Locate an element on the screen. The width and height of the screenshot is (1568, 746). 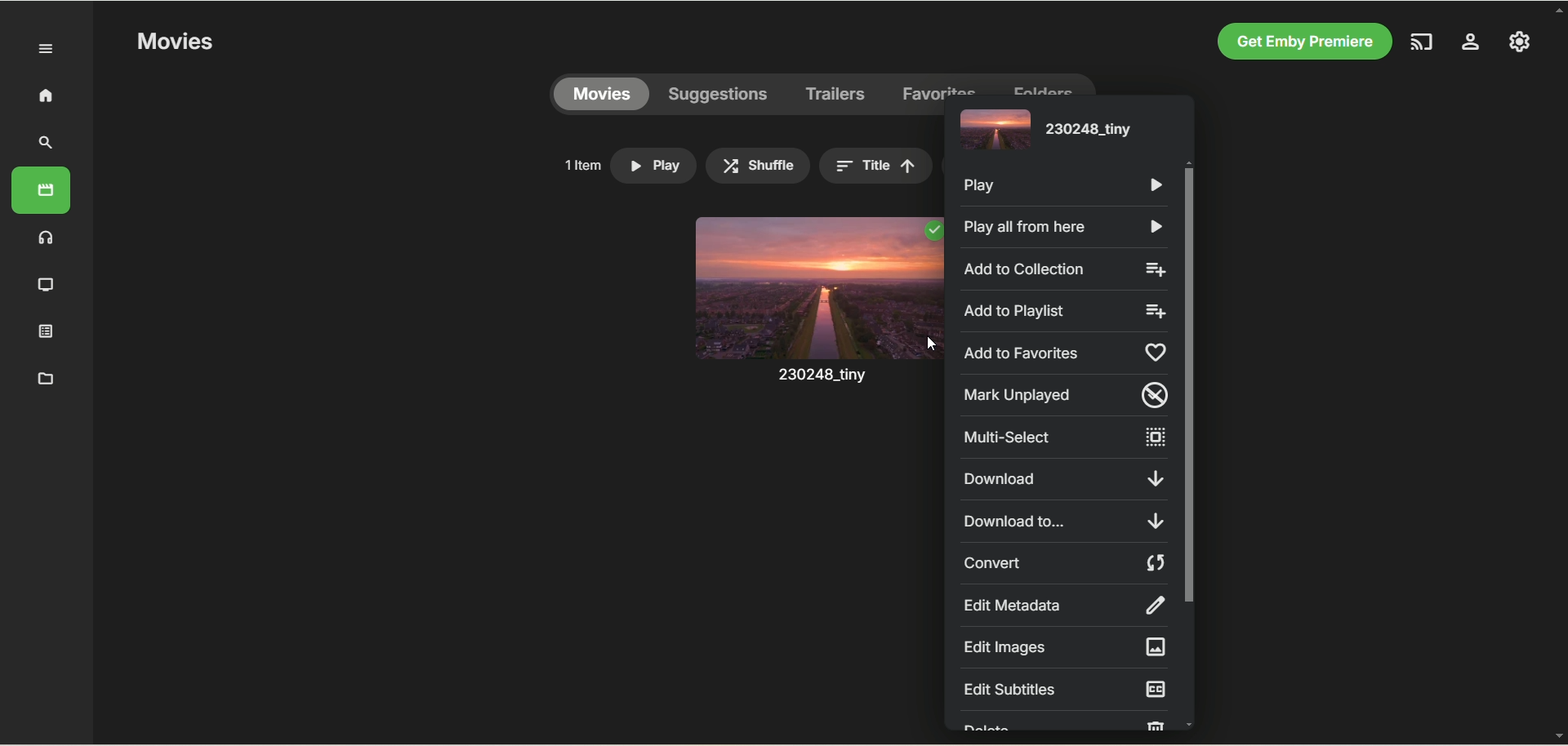
playlist is located at coordinates (47, 330).